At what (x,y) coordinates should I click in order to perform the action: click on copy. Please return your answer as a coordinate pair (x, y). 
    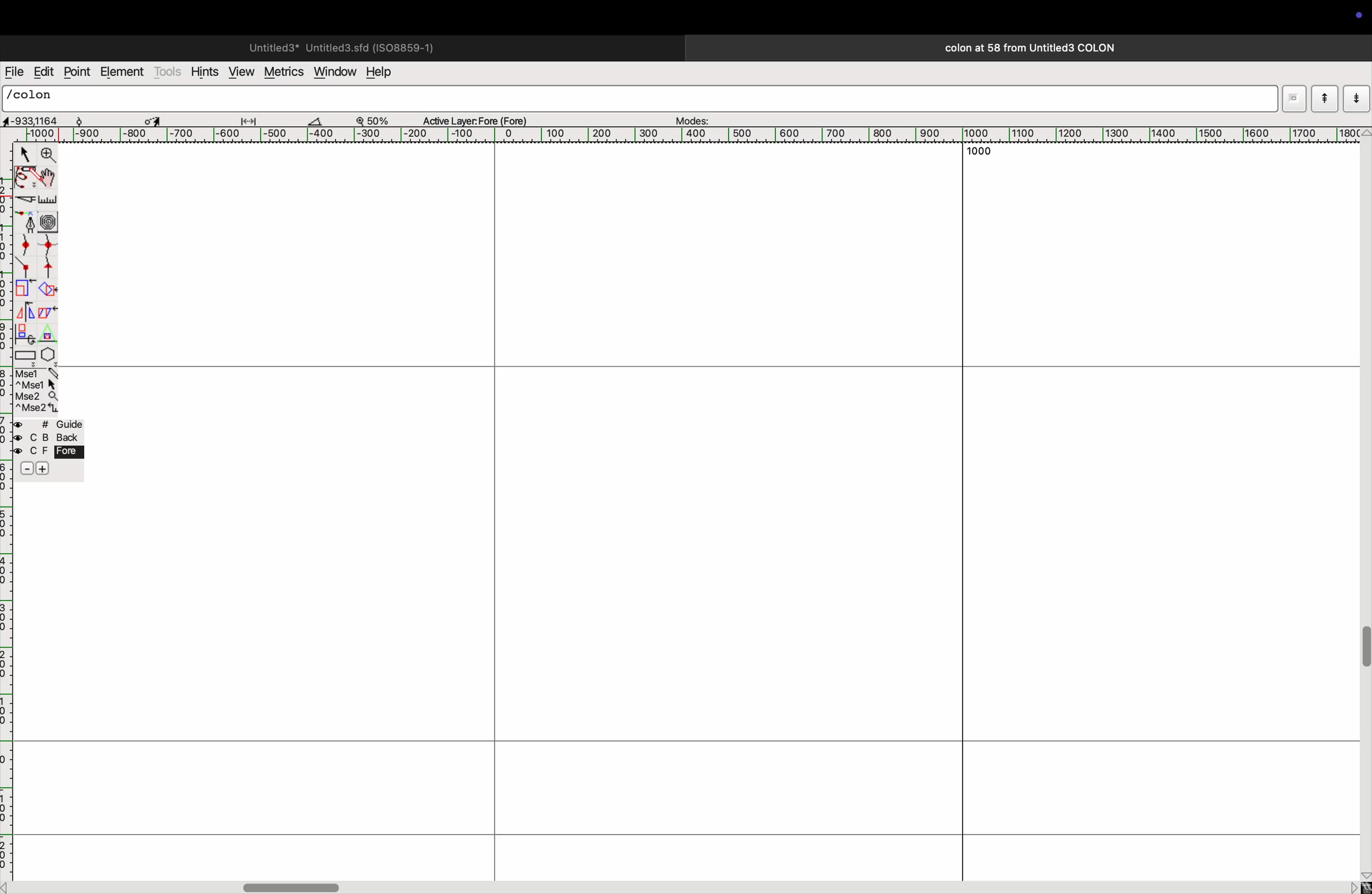
    Looking at the image, I should click on (50, 314).